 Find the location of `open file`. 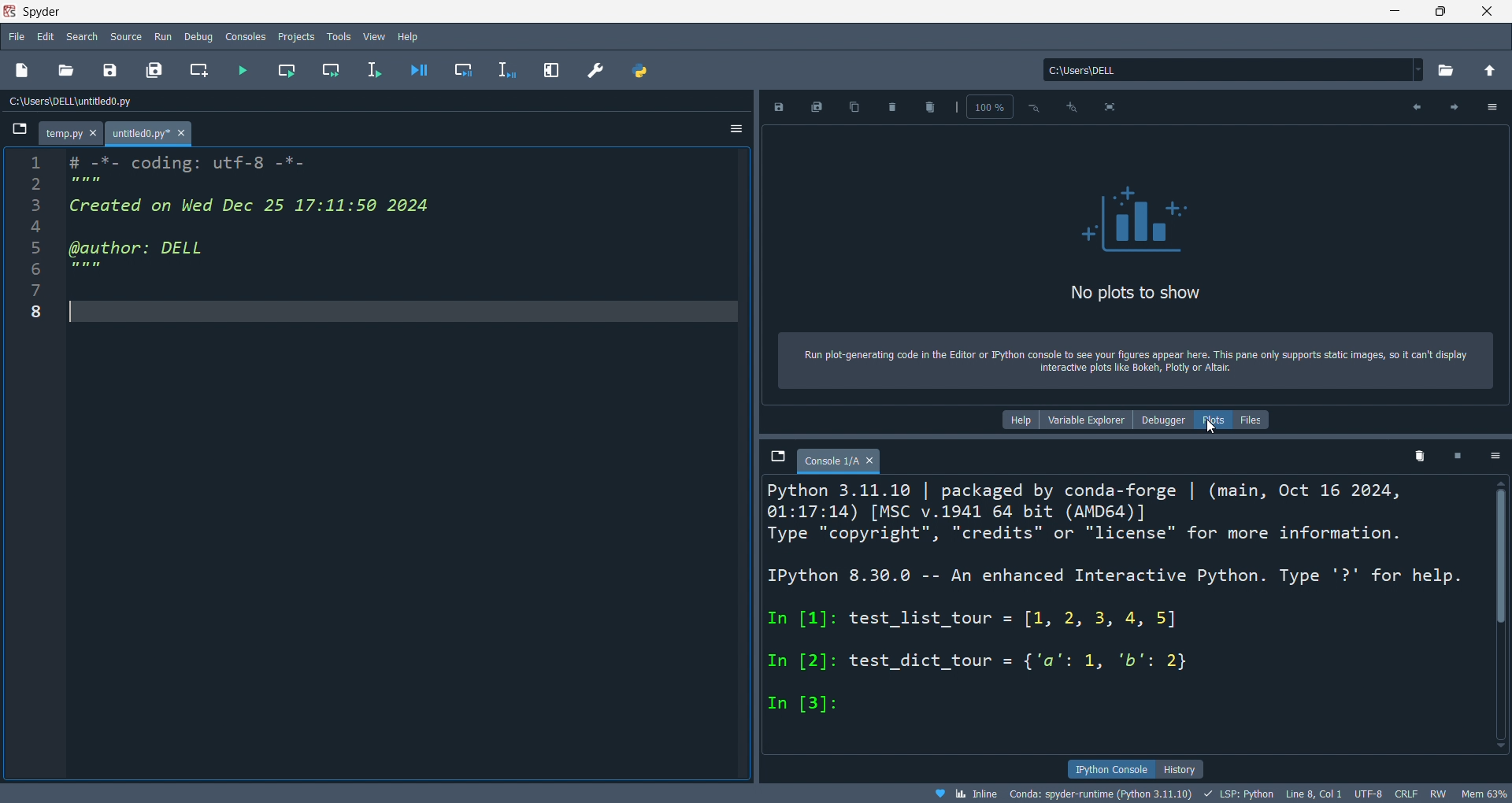

open file is located at coordinates (69, 71).